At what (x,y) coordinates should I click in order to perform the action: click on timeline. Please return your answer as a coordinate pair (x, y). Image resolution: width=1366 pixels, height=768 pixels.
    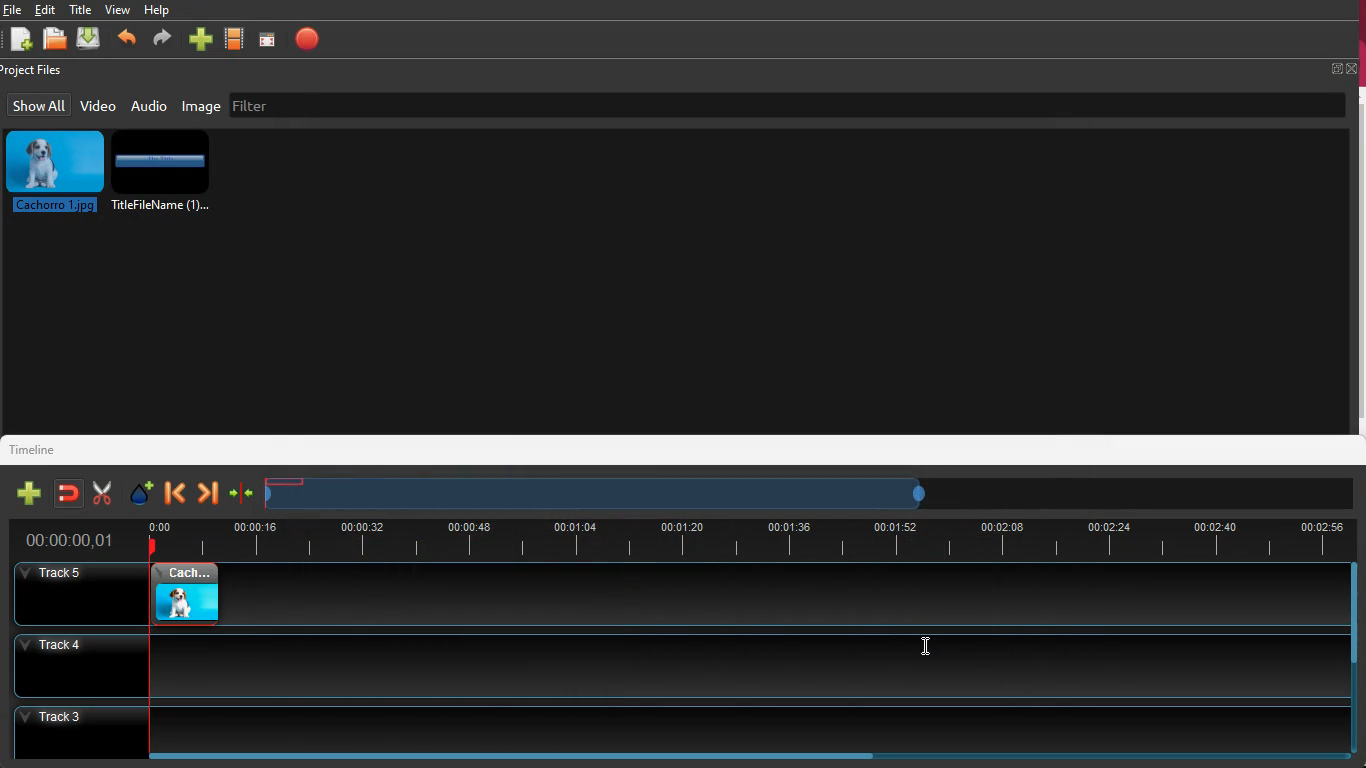
    Looking at the image, I should click on (593, 499).